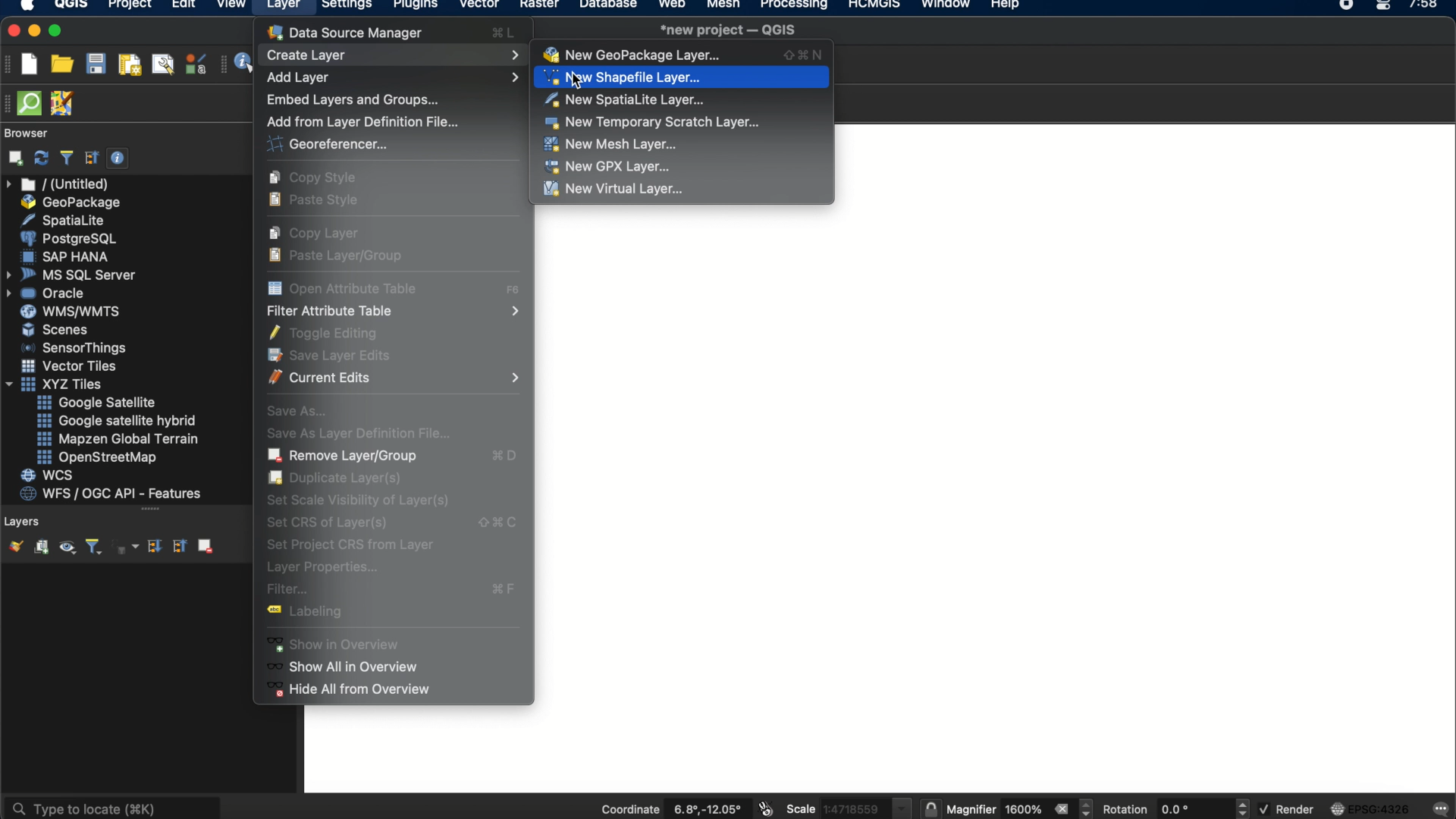 This screenshot has width=1456, height=819. I want to click on new mesh layer, so click(612, 146).